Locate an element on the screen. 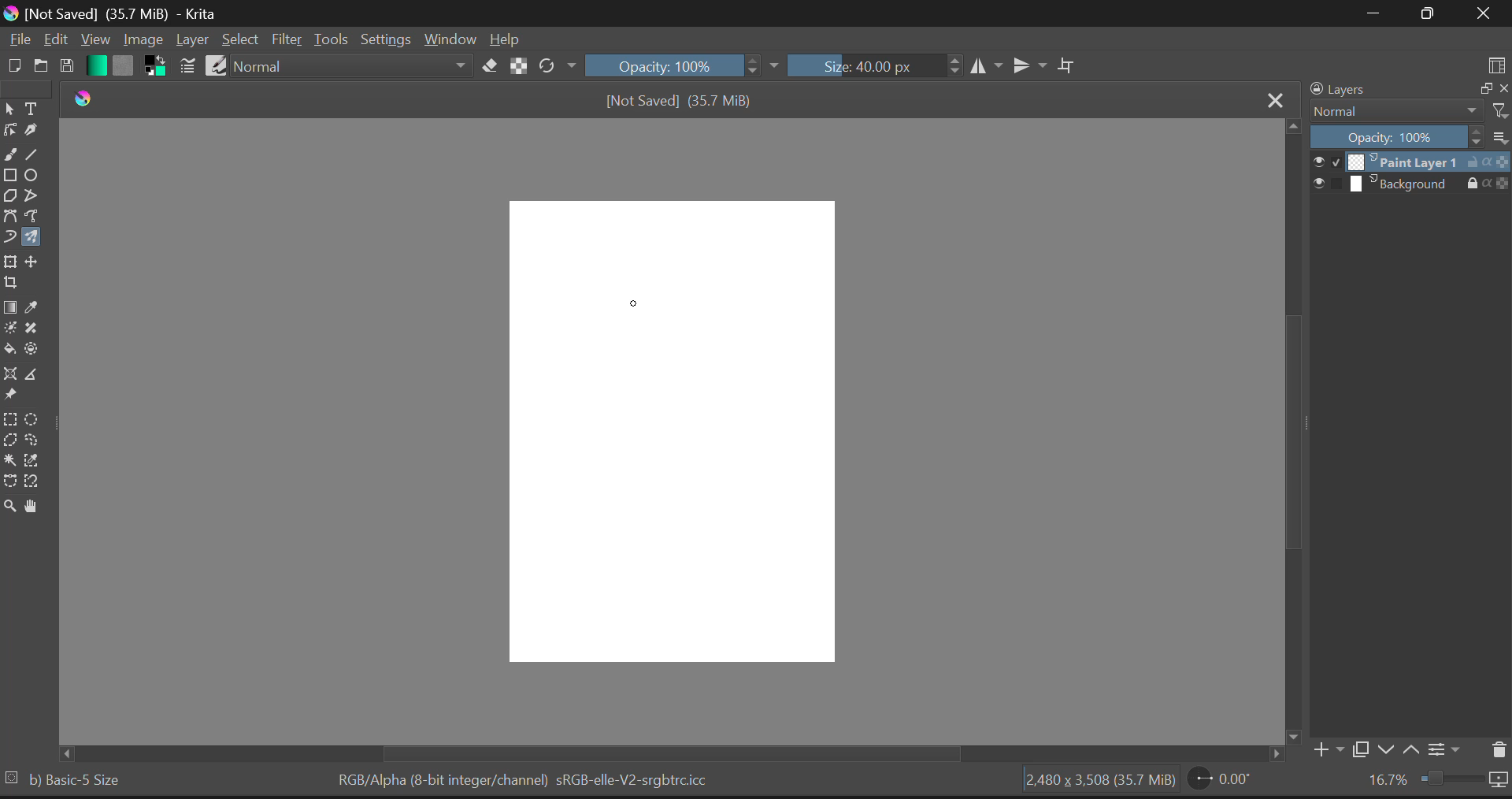 Image resolution: width=1512 pixels, height=799 pixels. Edit Shapes is located at coordinates (10, 130).